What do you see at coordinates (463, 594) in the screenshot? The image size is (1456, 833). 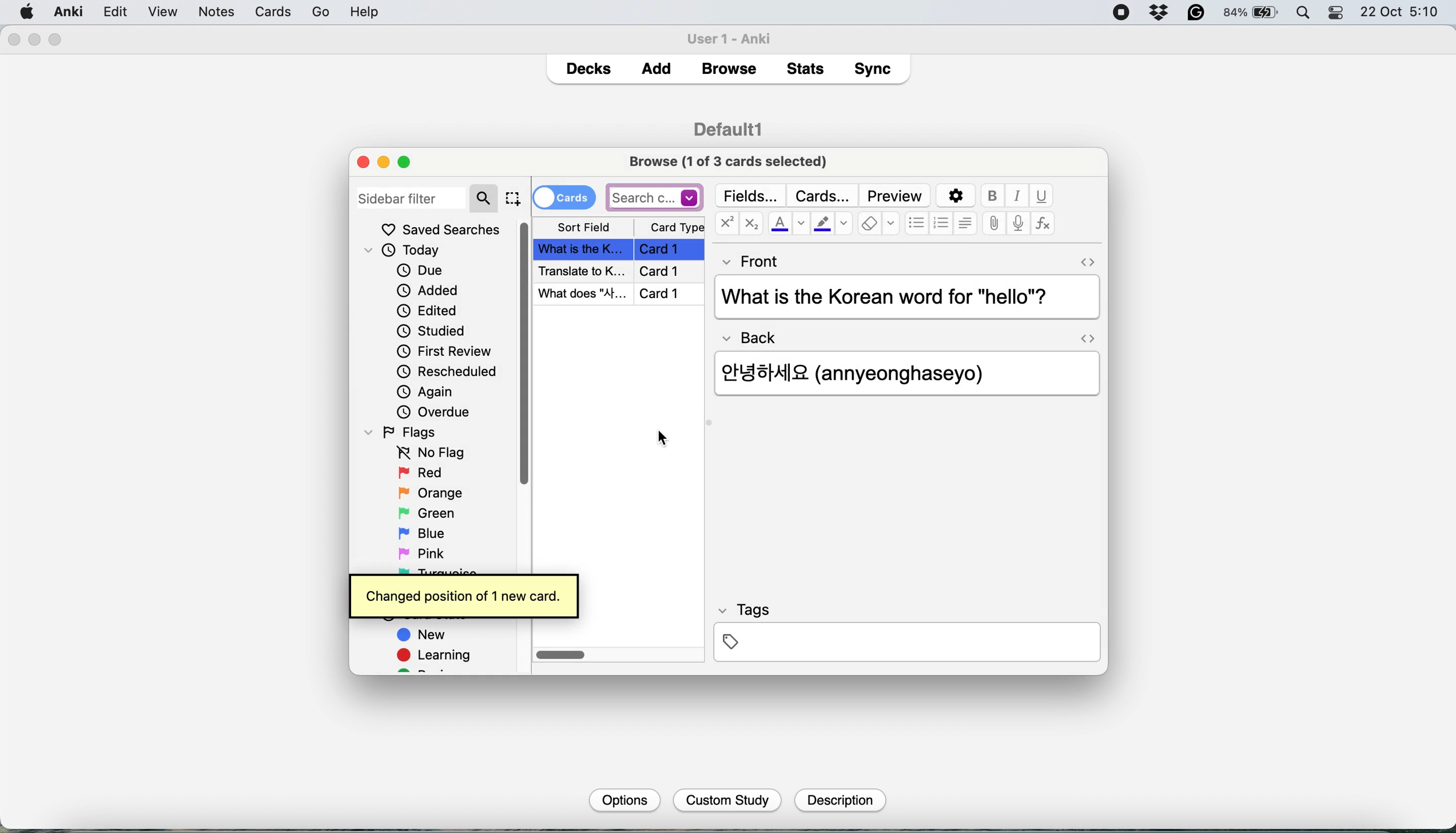 I see `Changed position of 1 new card.` at bounding box center [463, 594].